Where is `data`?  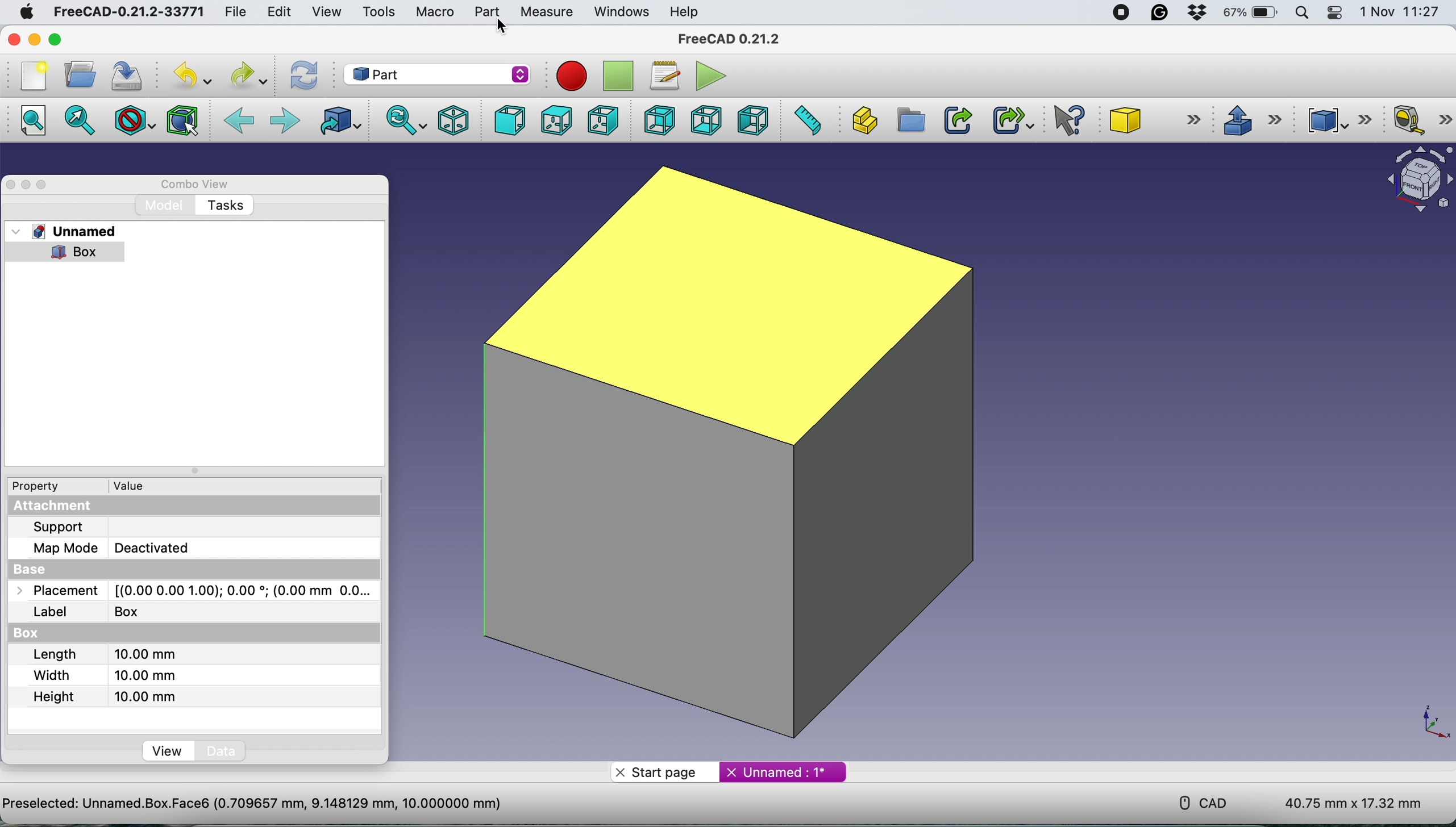
data is located at coordinates (221, 752).